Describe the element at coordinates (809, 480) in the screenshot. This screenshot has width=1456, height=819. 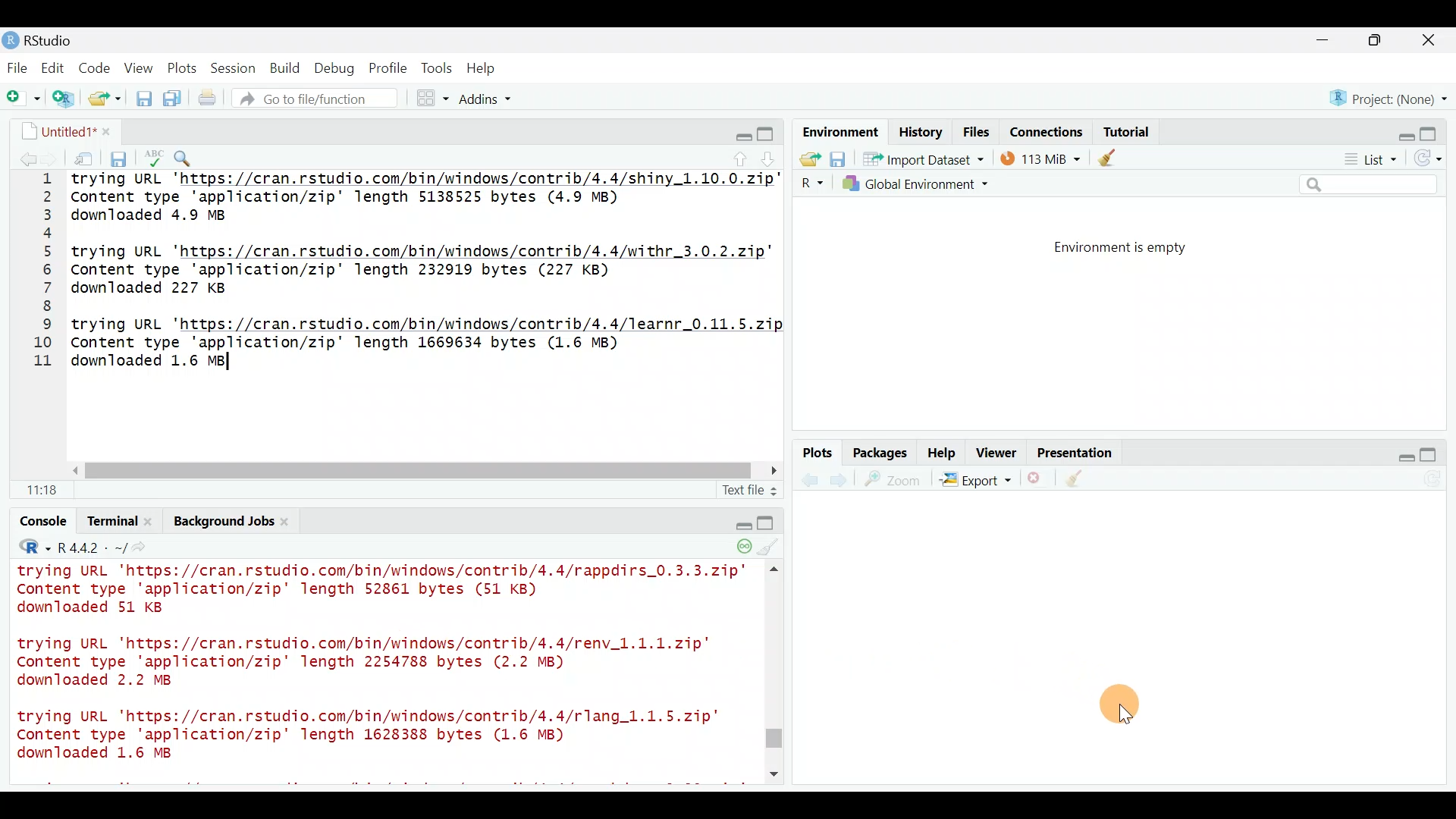
I see `next plot` at that location.